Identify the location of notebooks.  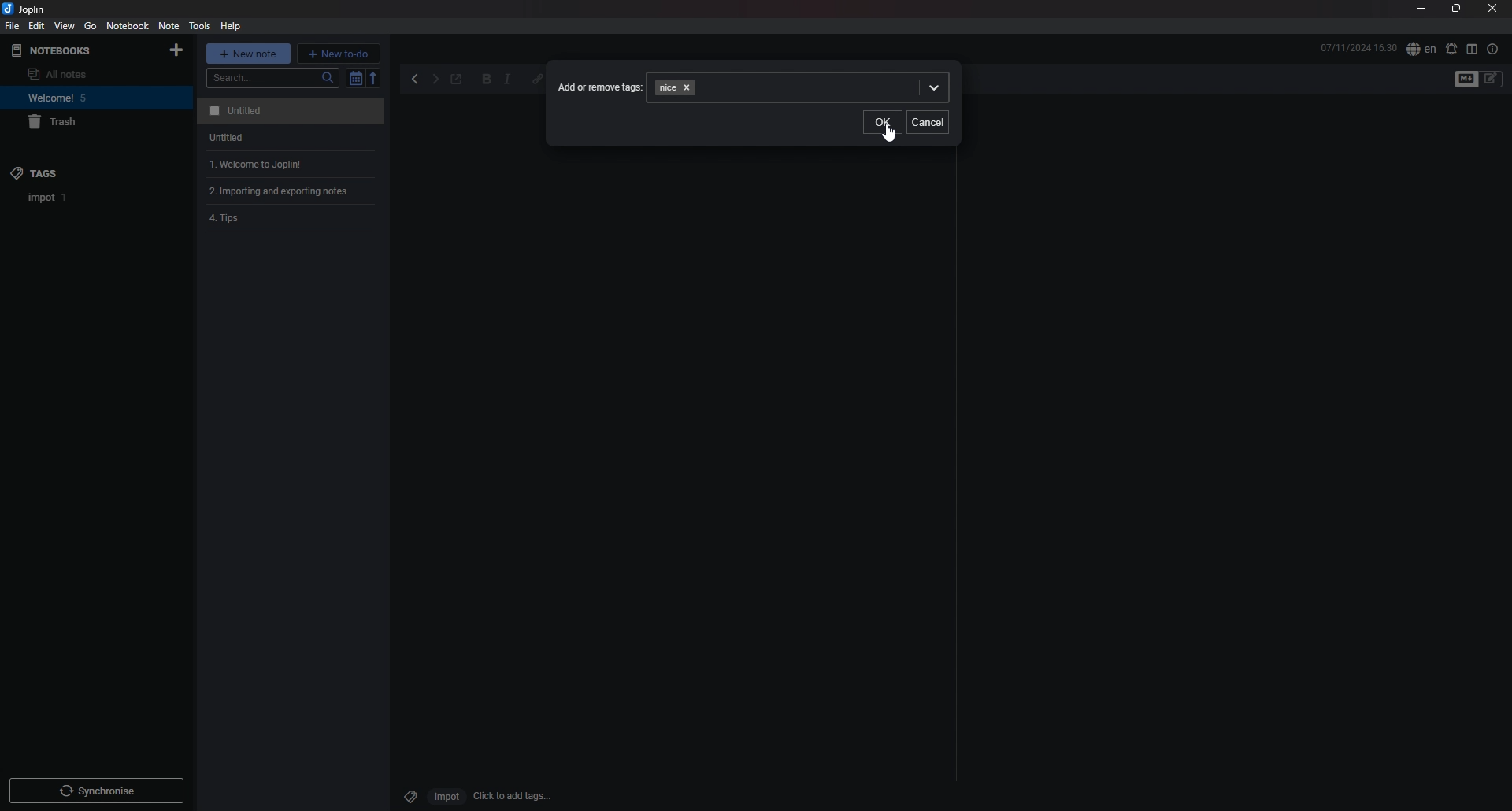
(74, 51).